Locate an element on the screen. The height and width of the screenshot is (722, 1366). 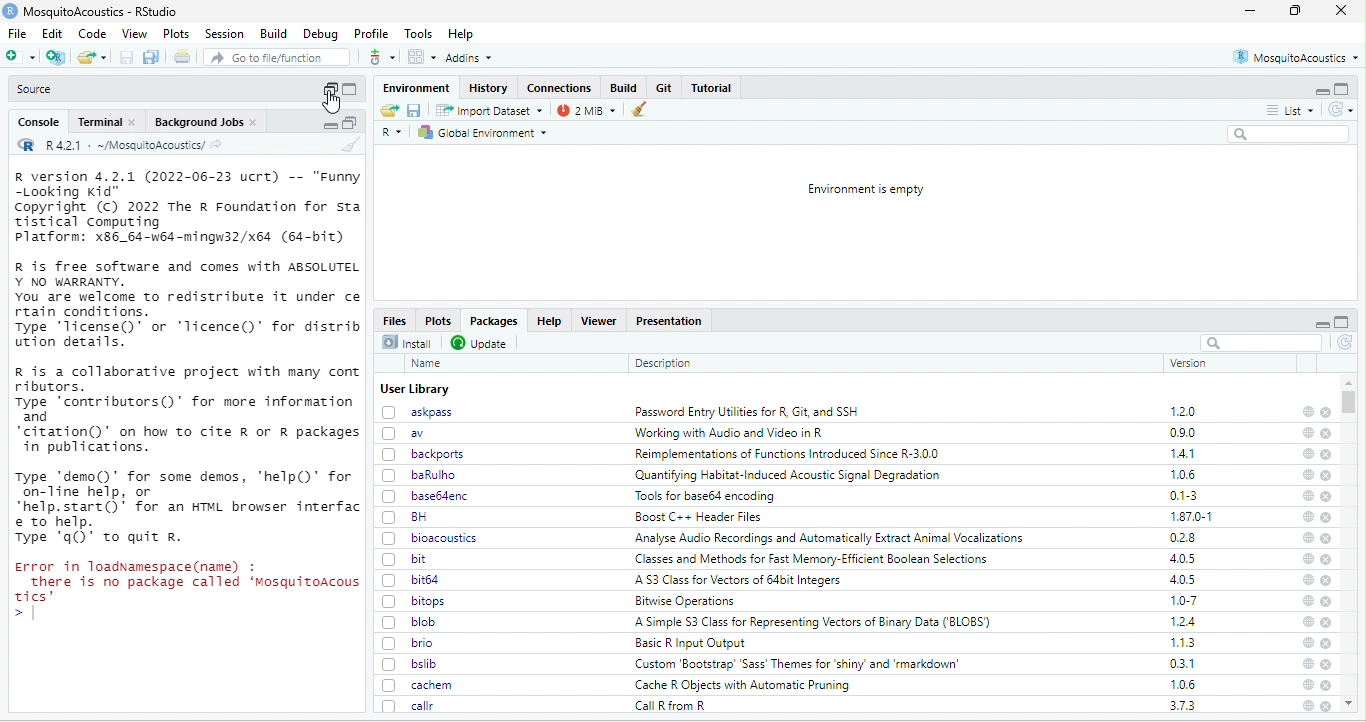
1.1.3 is located at coordinates (1184, 642).